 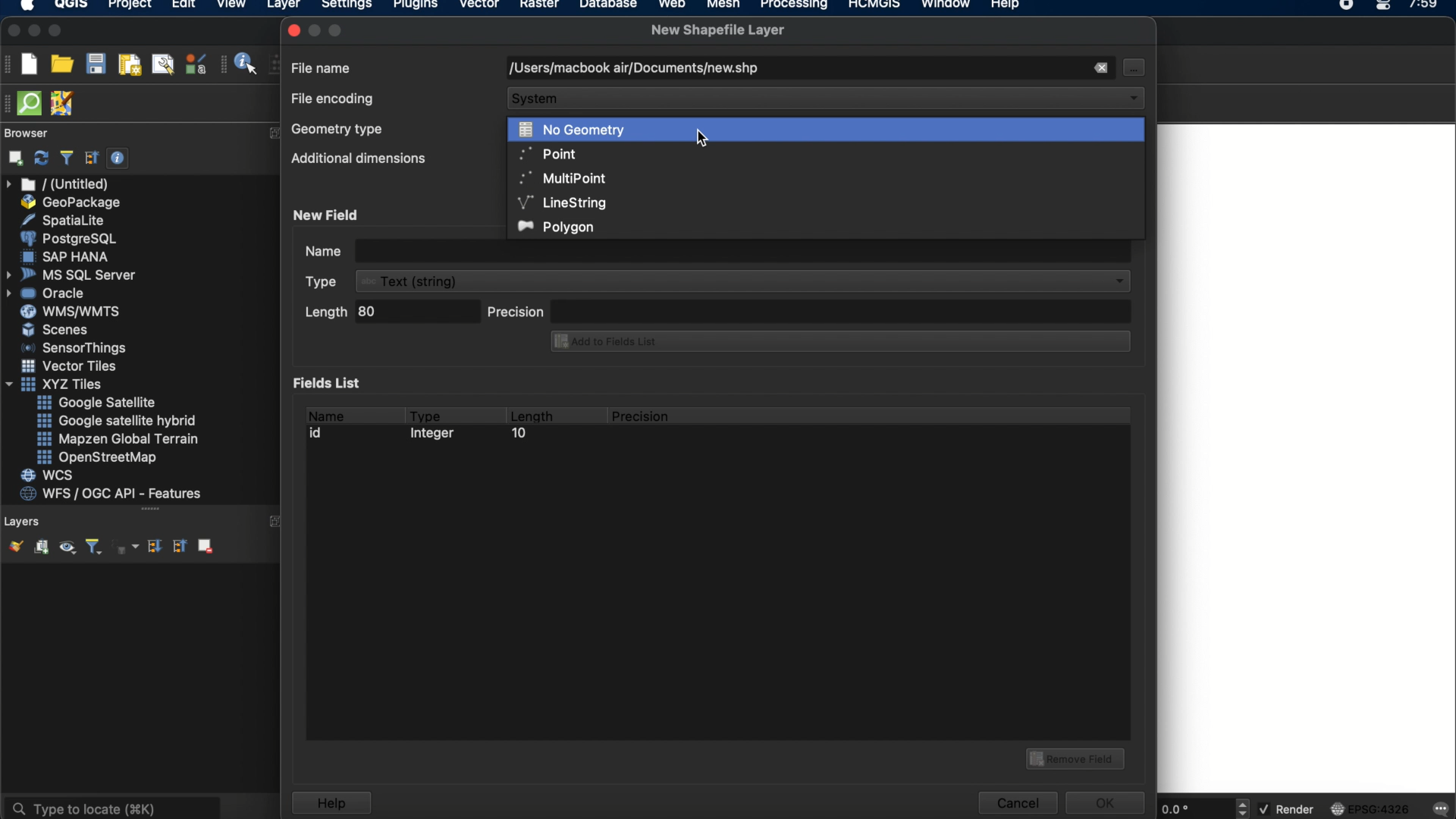 I want to click on google satellite, so click(x=98, y=403).